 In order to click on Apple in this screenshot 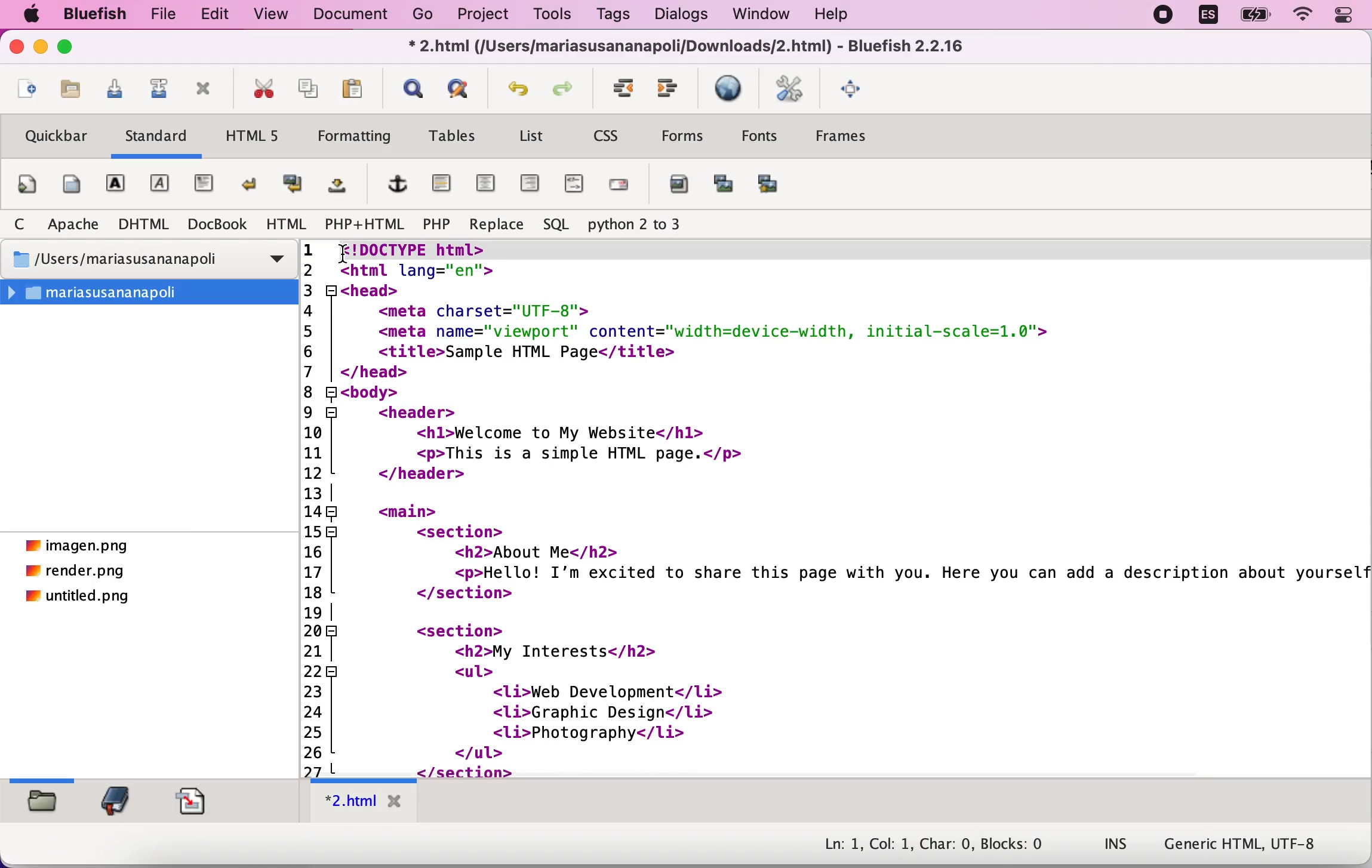, I will do `click(30, 16)`.